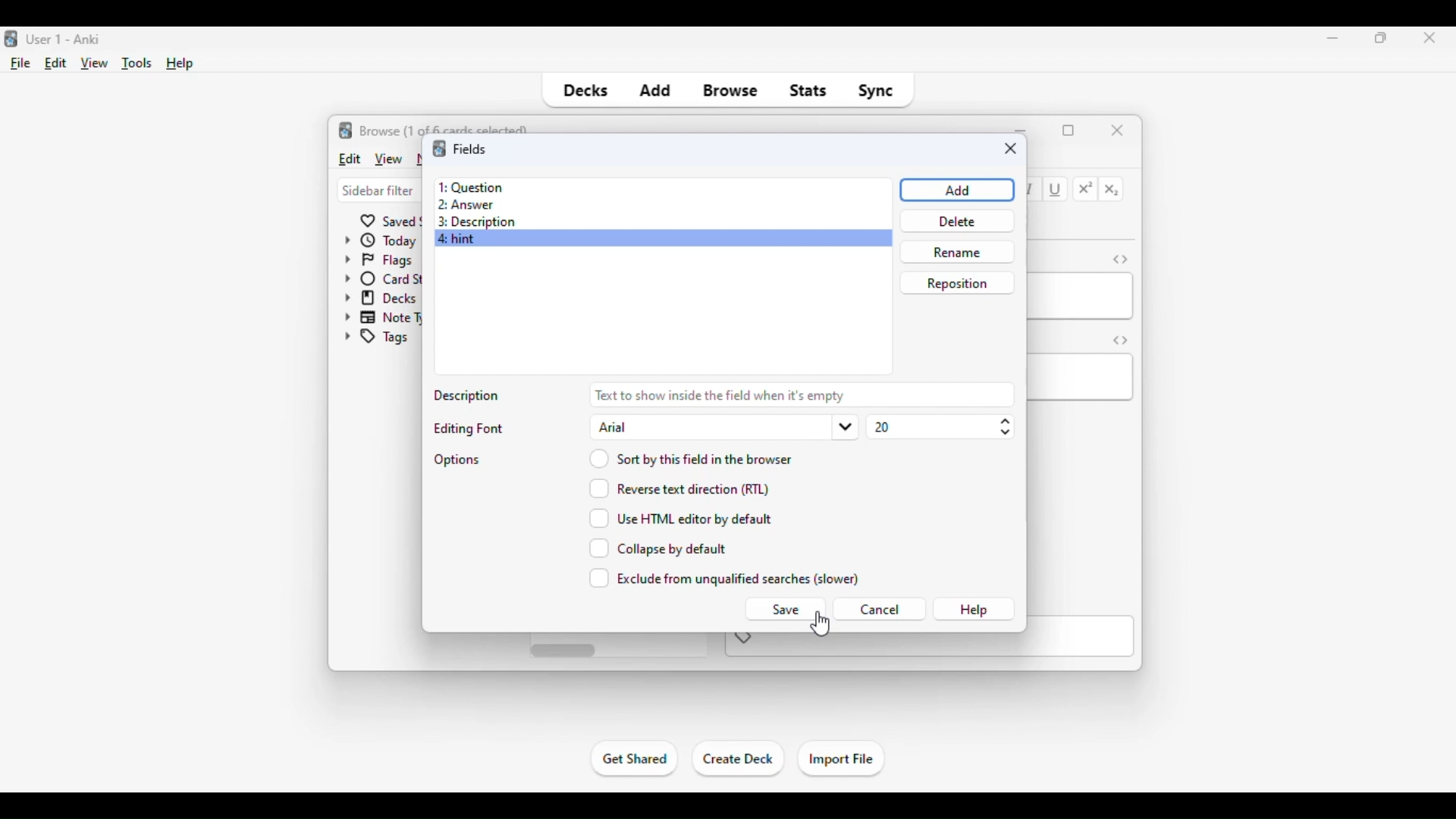  Describe the element at coordinates (725, 578) in the screenshot. I see `exclude from unqualified searches (slower)` at that location.